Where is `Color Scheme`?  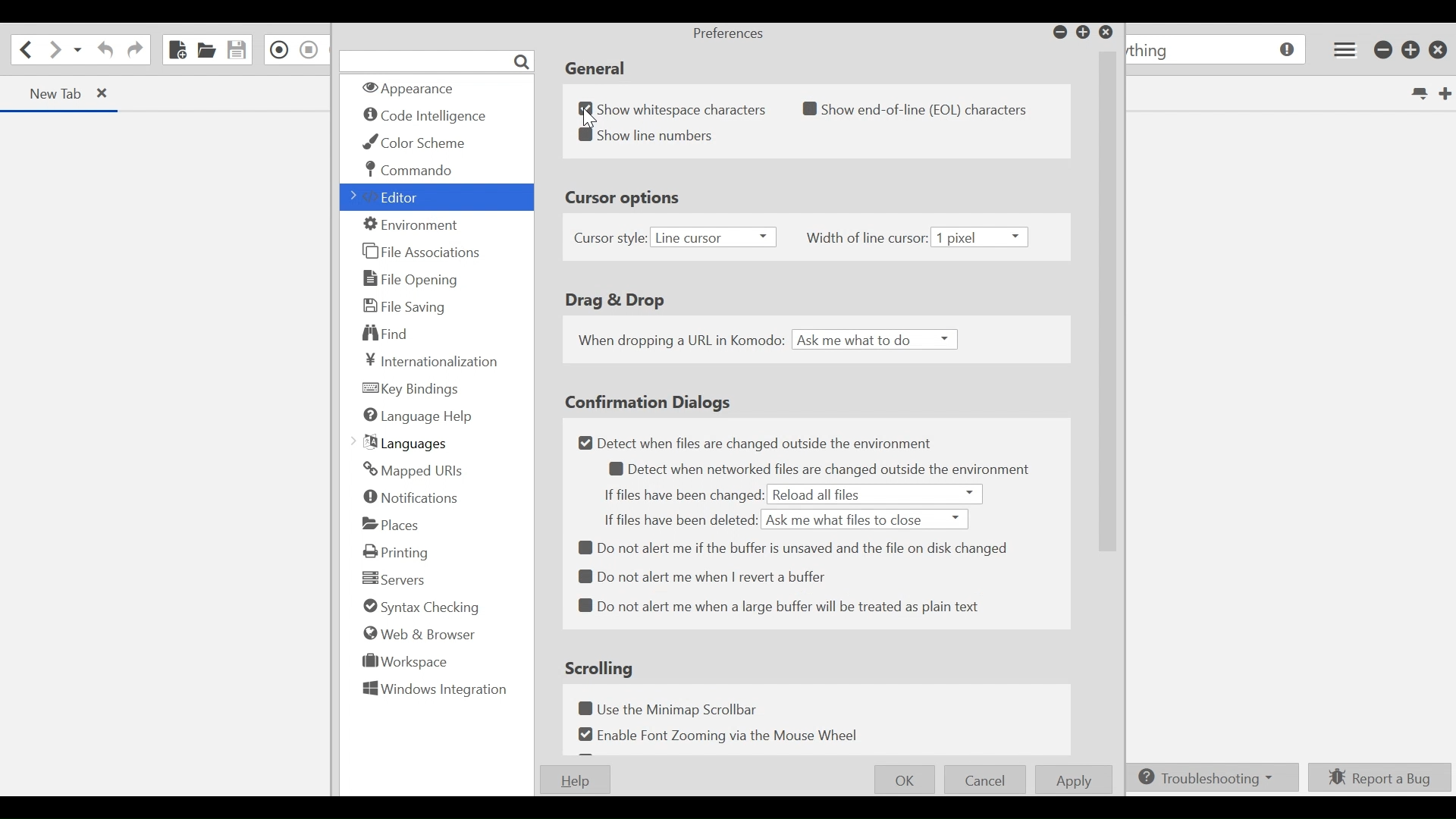
Color Scheme is located at coordinates (419, 143).